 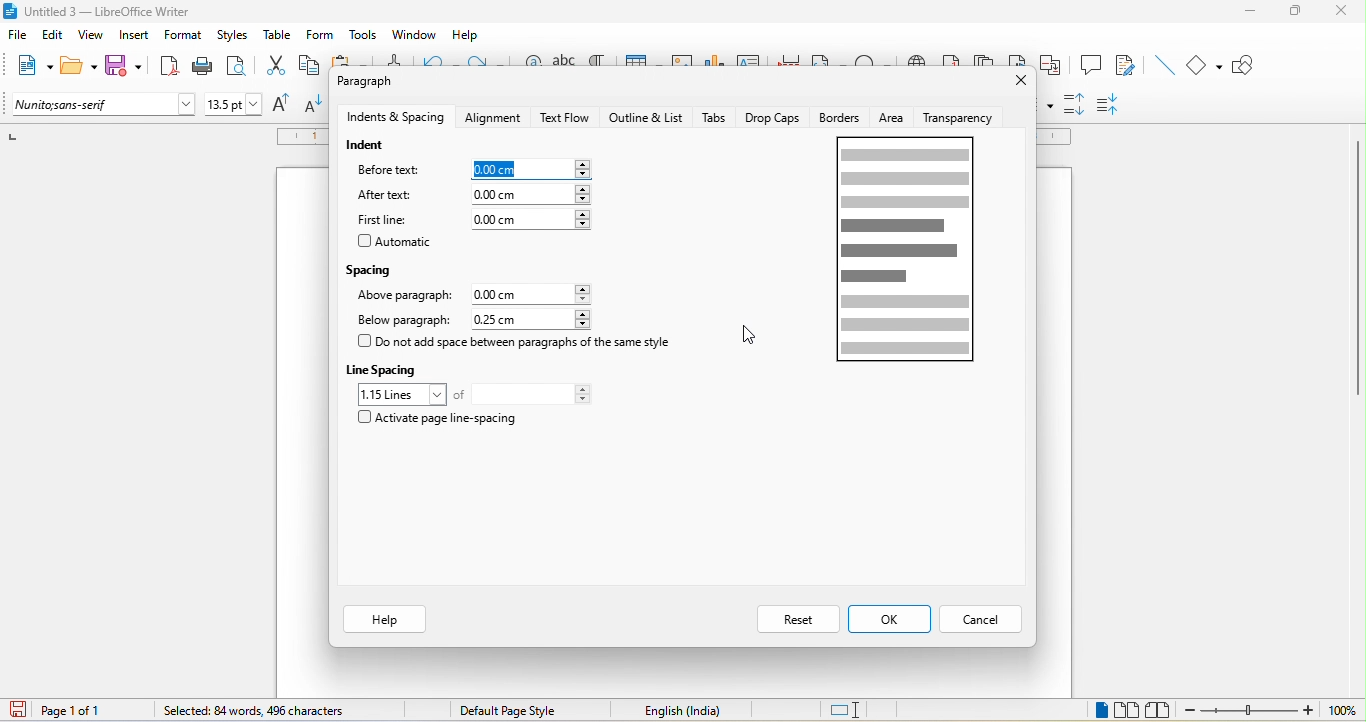 I want to click on total lines, so click(x=531, y=394).